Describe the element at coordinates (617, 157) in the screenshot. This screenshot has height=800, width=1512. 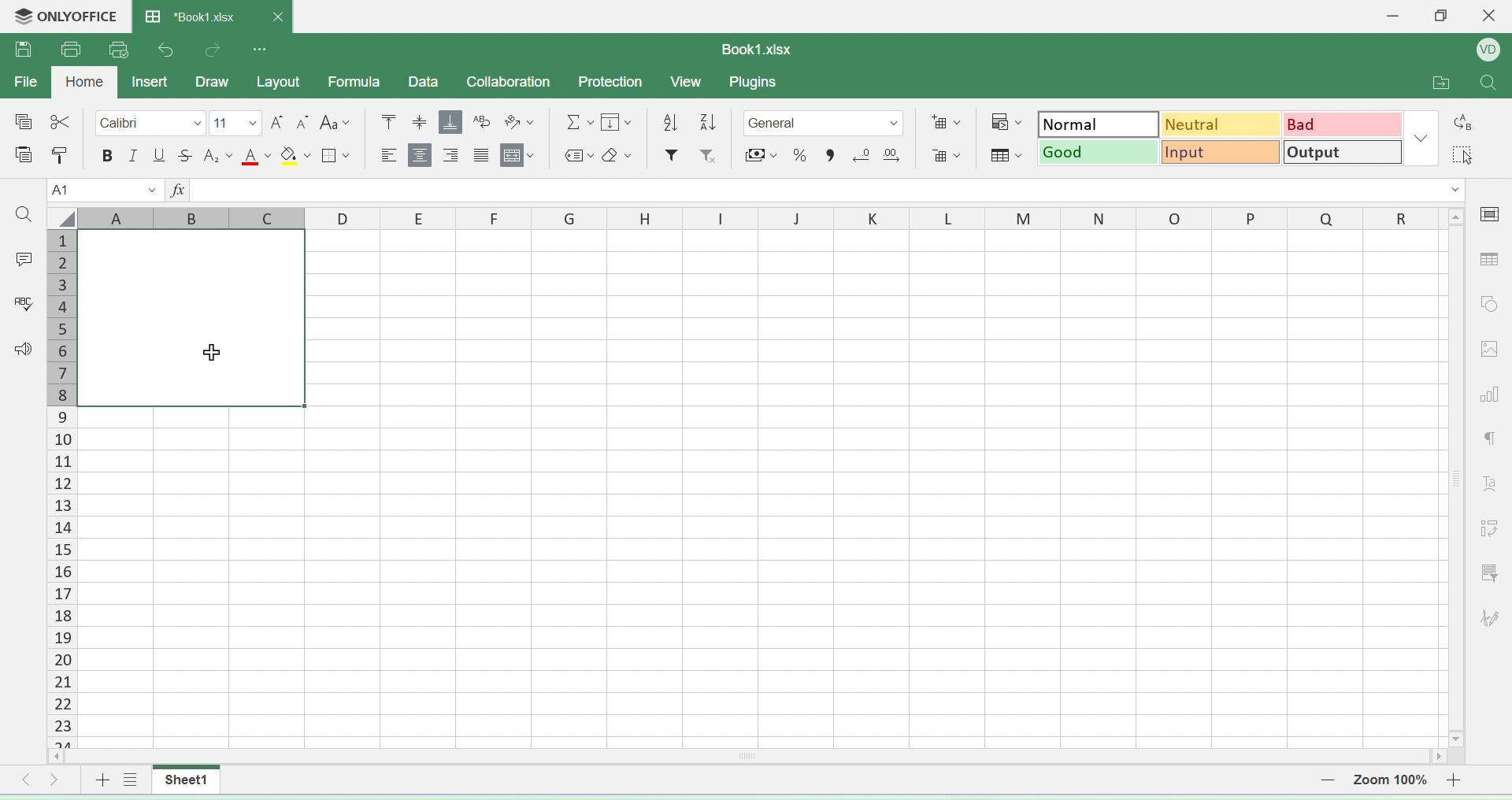
I see `erase` at that location.